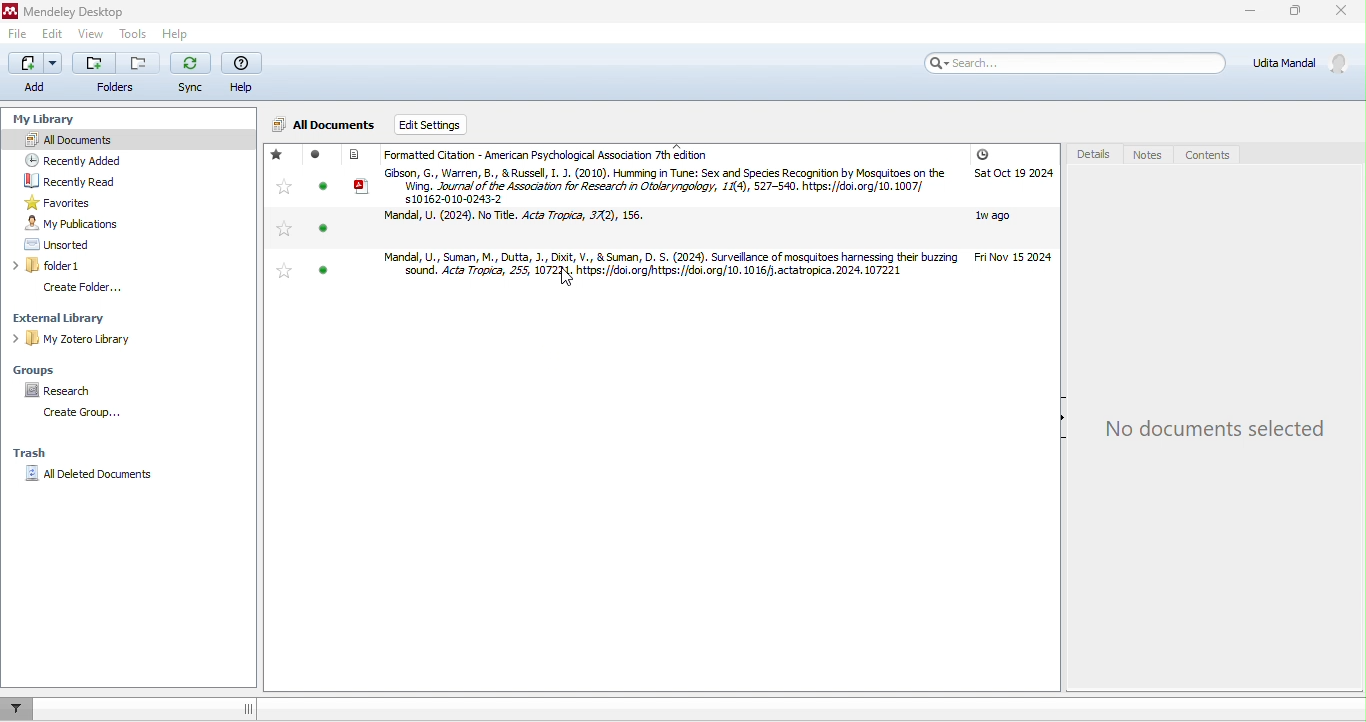 The width and height of the screenshot is (1366, 722). Describe the element at coordinates (94, 223) in the screenshot. I see `my publication` at that location.